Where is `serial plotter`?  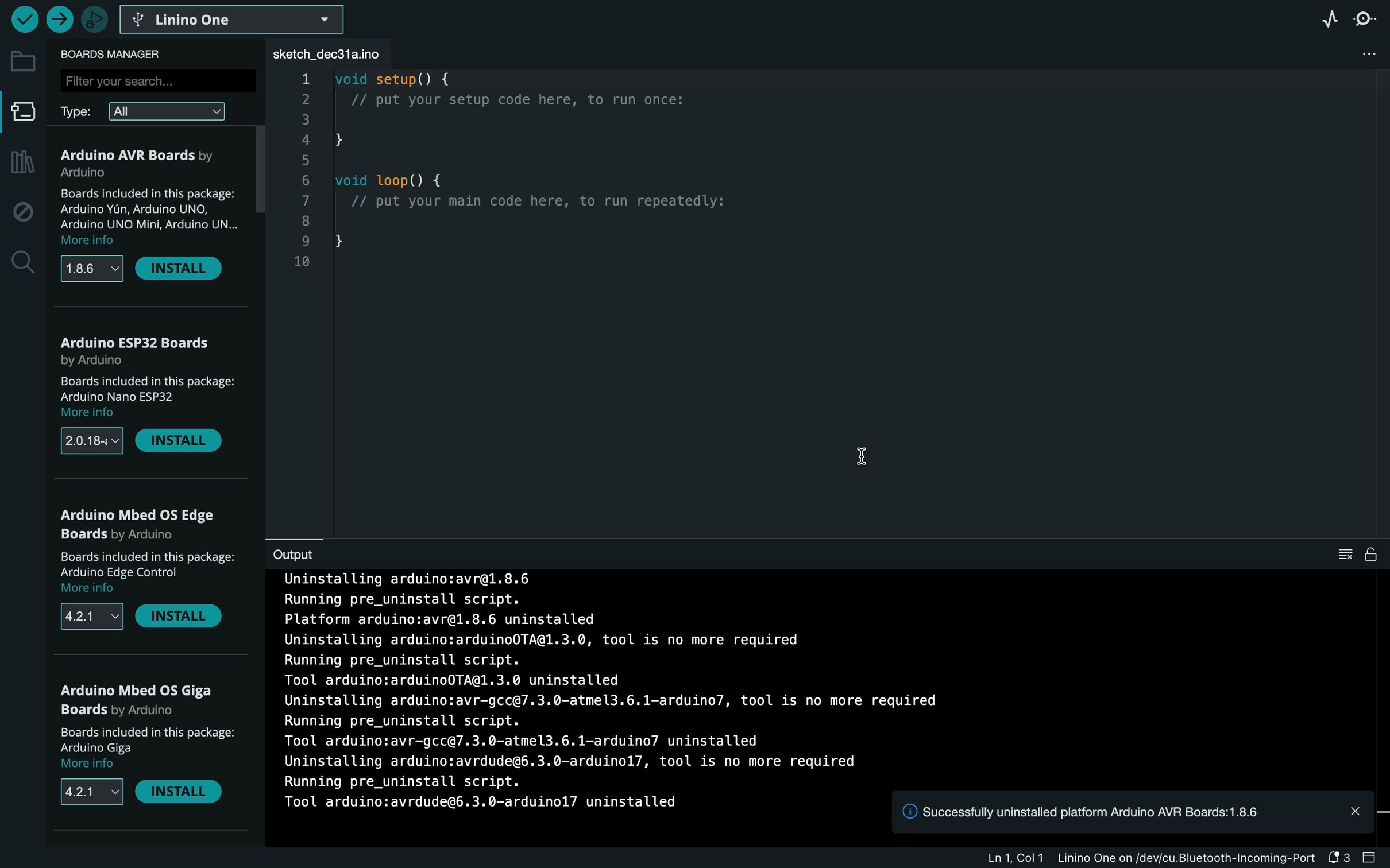
serial plotter is located at coordinates (1330, 21).